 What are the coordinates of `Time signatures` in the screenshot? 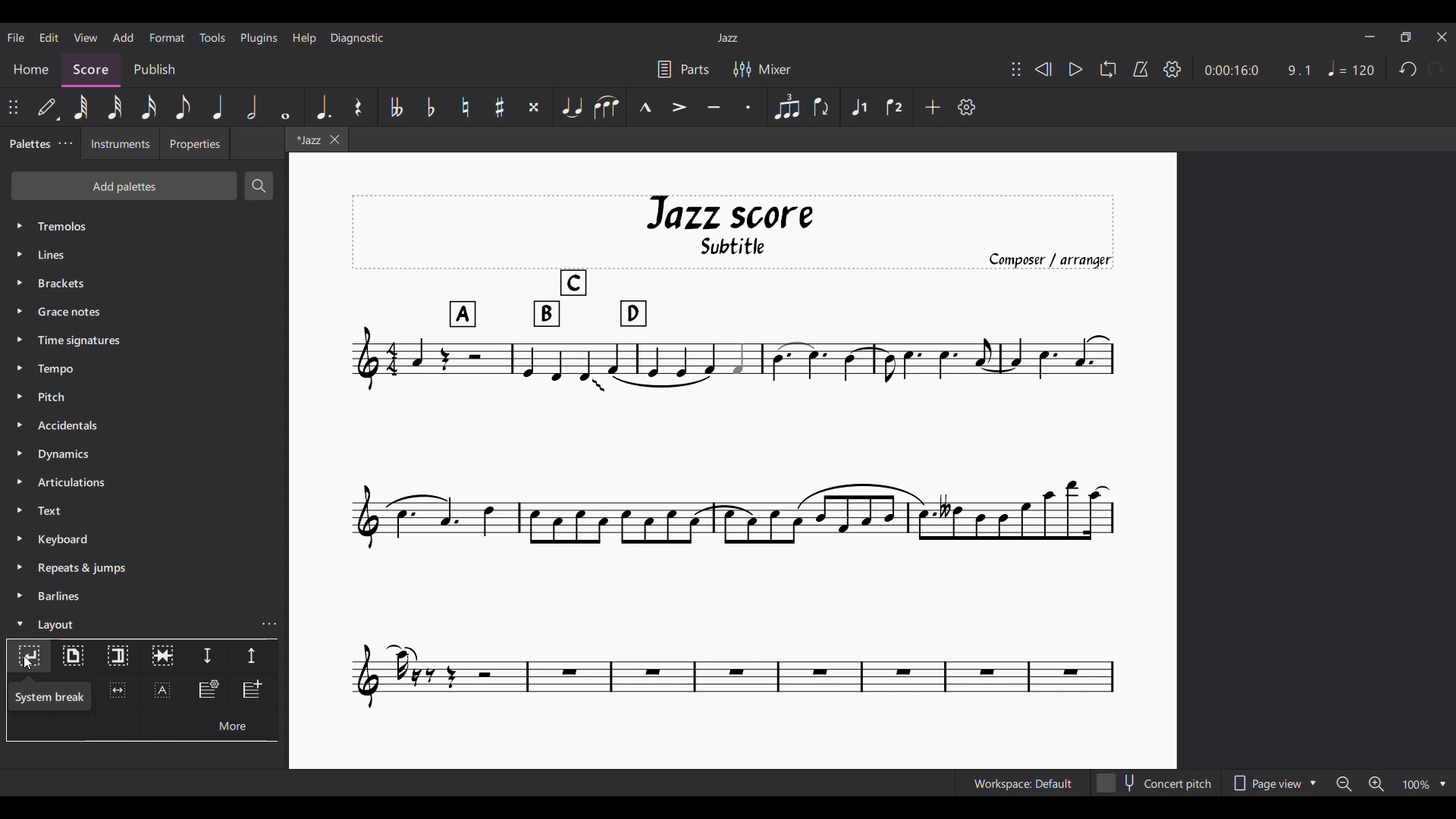 It's located at (144, 340).